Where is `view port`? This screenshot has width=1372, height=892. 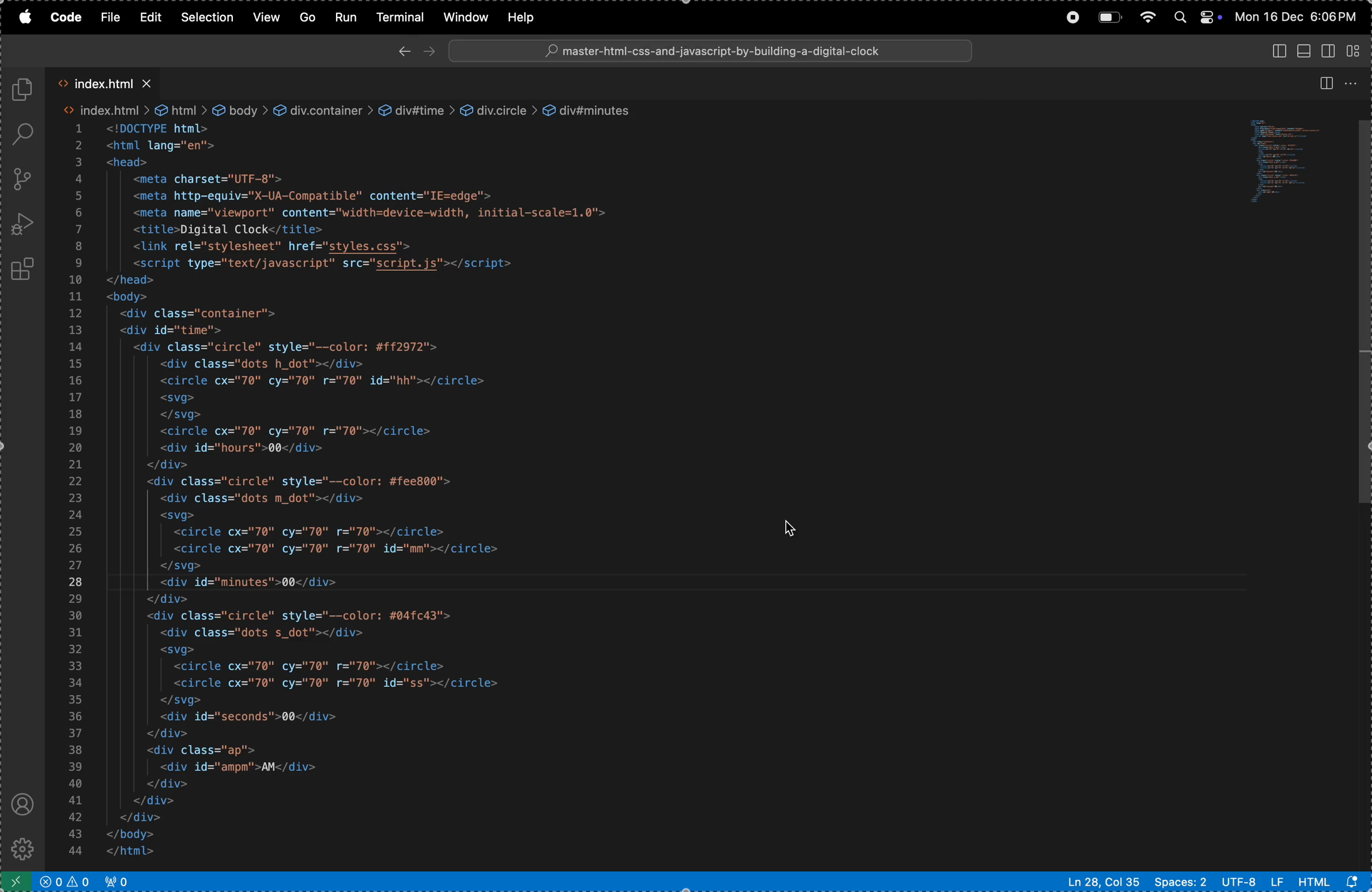
view port is located at coordinates (119, 880).